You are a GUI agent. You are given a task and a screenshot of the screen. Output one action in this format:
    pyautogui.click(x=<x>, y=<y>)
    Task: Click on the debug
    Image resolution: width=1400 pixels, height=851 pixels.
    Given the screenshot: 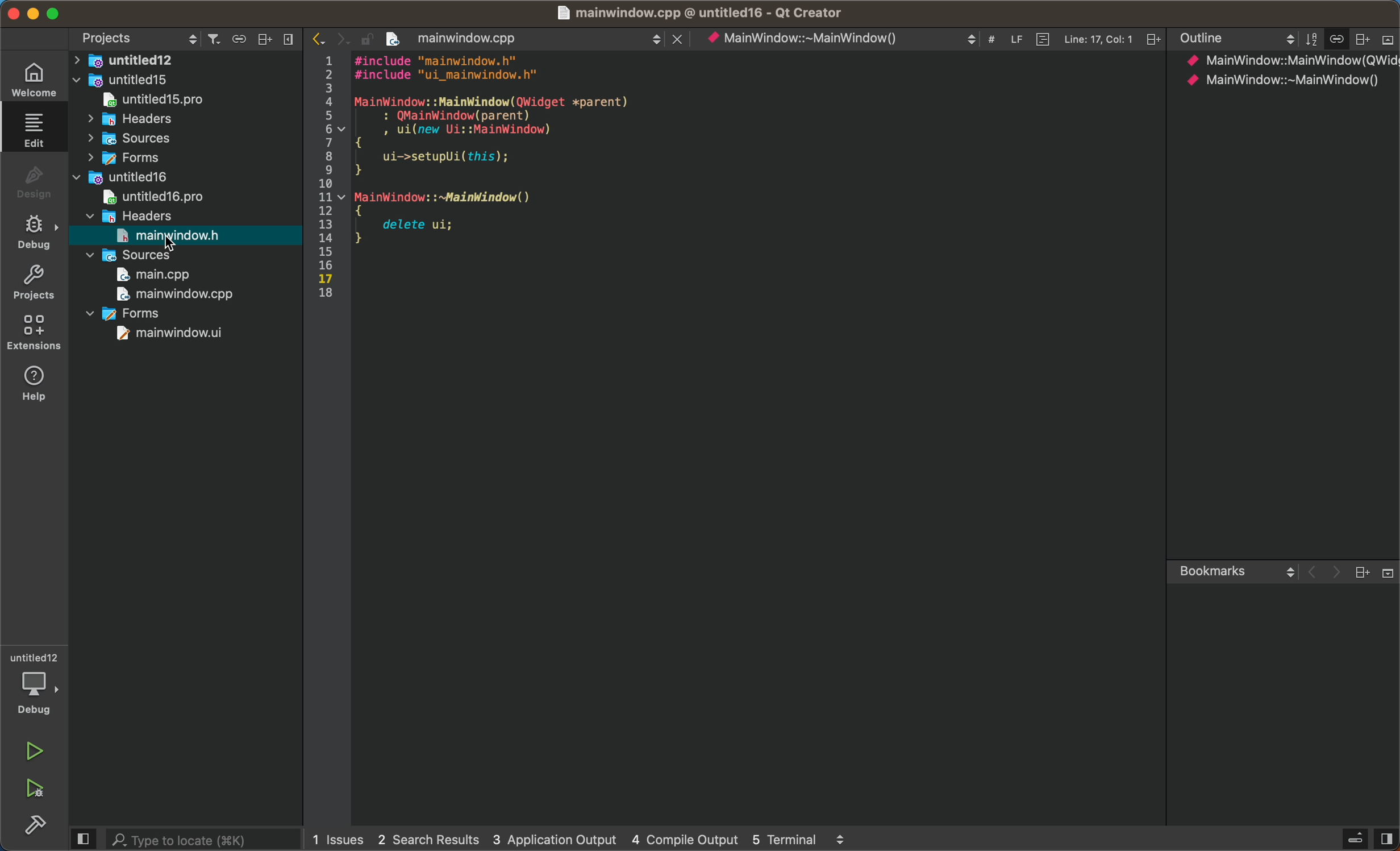 What is the action you would take?
    pyautogui.click(x=37, y=684)
    